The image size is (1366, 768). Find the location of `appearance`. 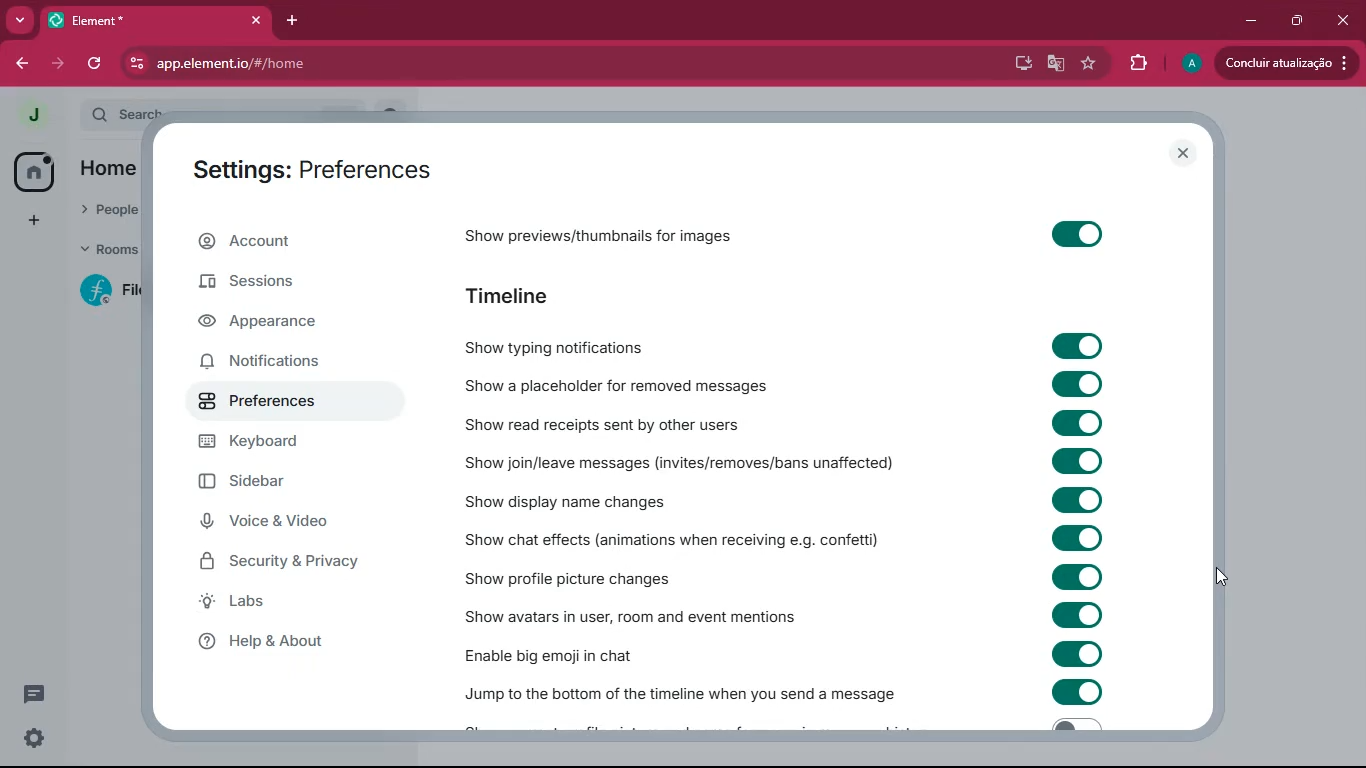

appearance is located at coordinates (283, 324).